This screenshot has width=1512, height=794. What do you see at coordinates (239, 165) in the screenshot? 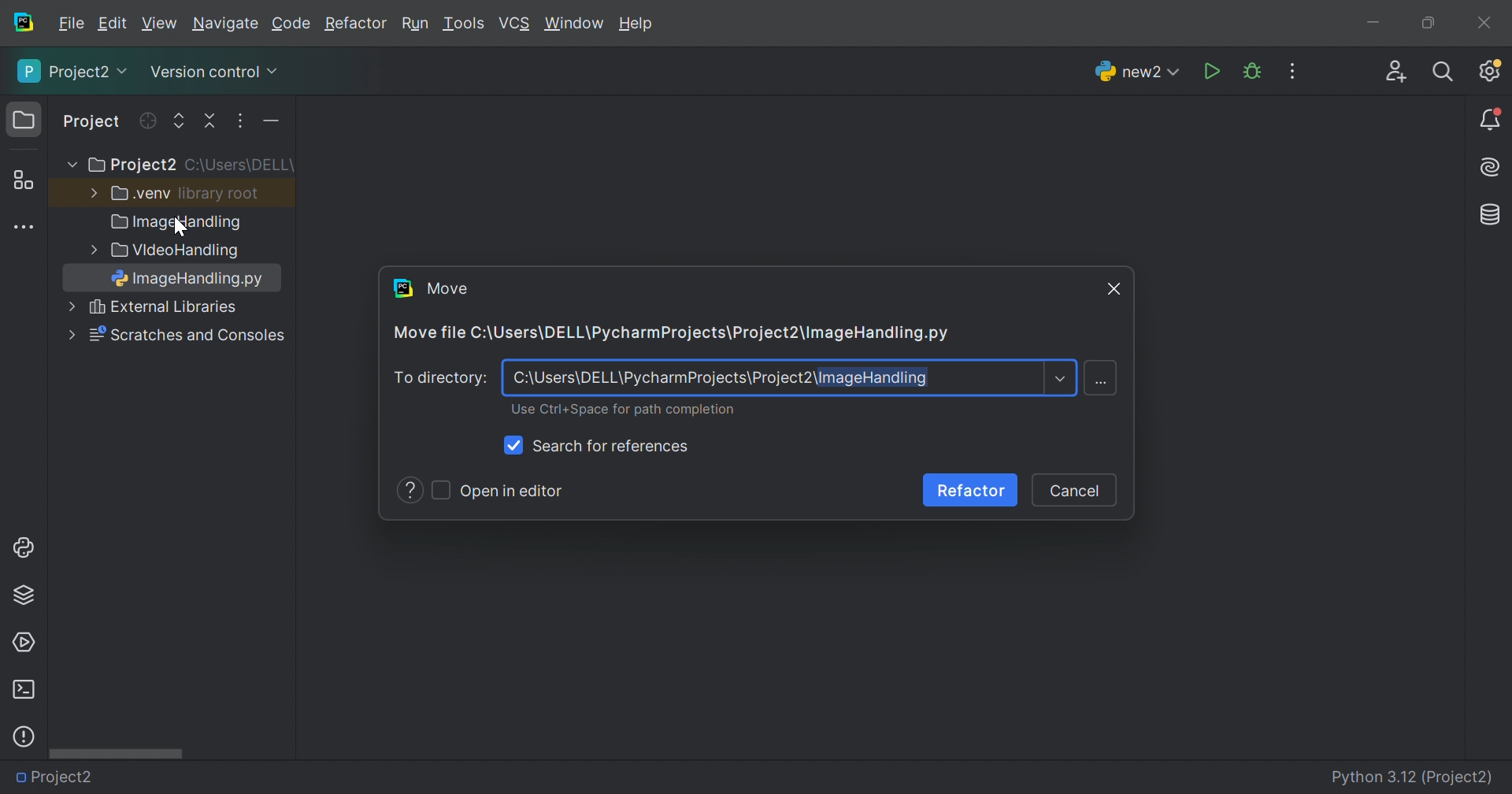
I see `C:\Users\DELL\` at bounding box center [239, 165].